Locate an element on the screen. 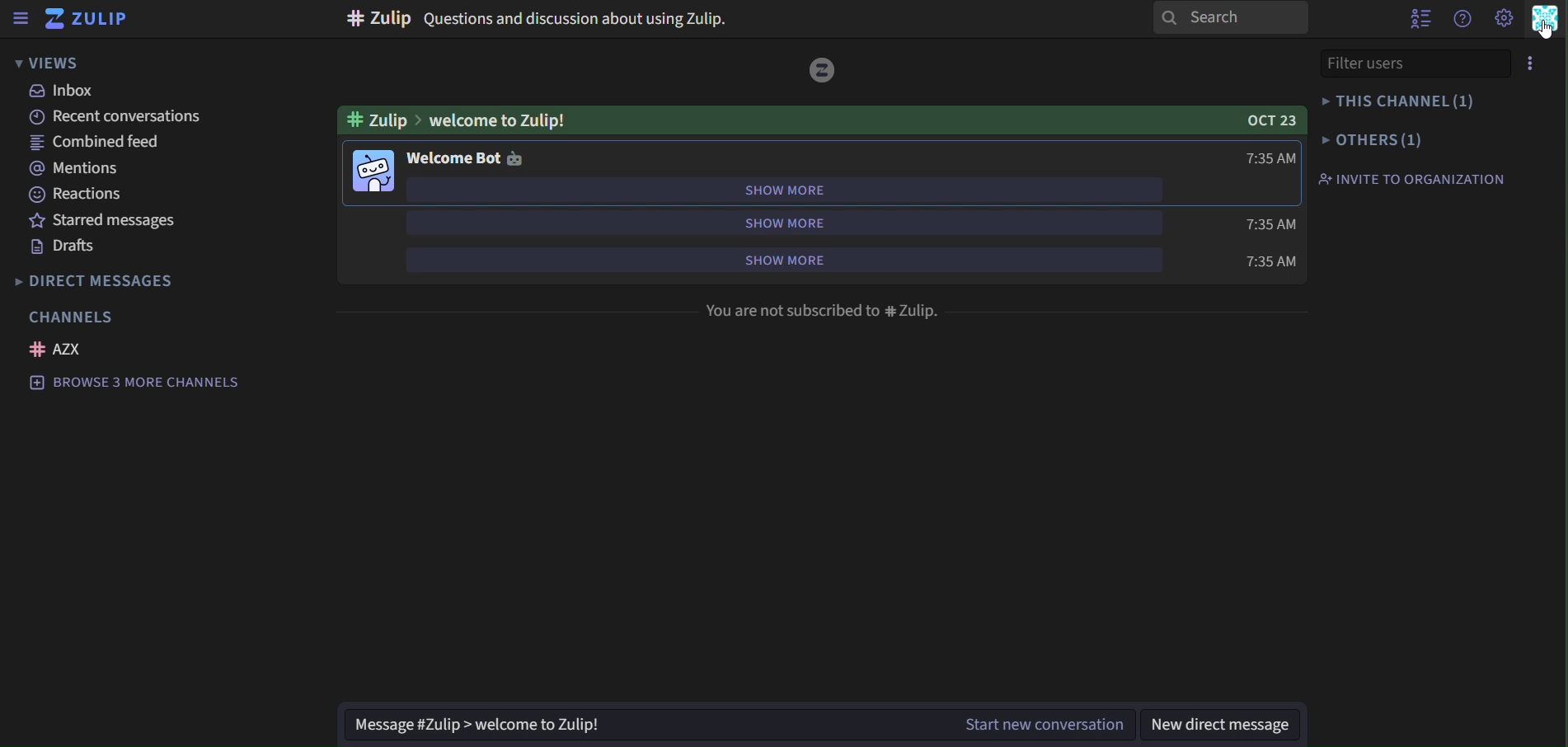 Image resolution: width=1568 pixels, height=747 pixels. image is located at coordinates (371, 171).